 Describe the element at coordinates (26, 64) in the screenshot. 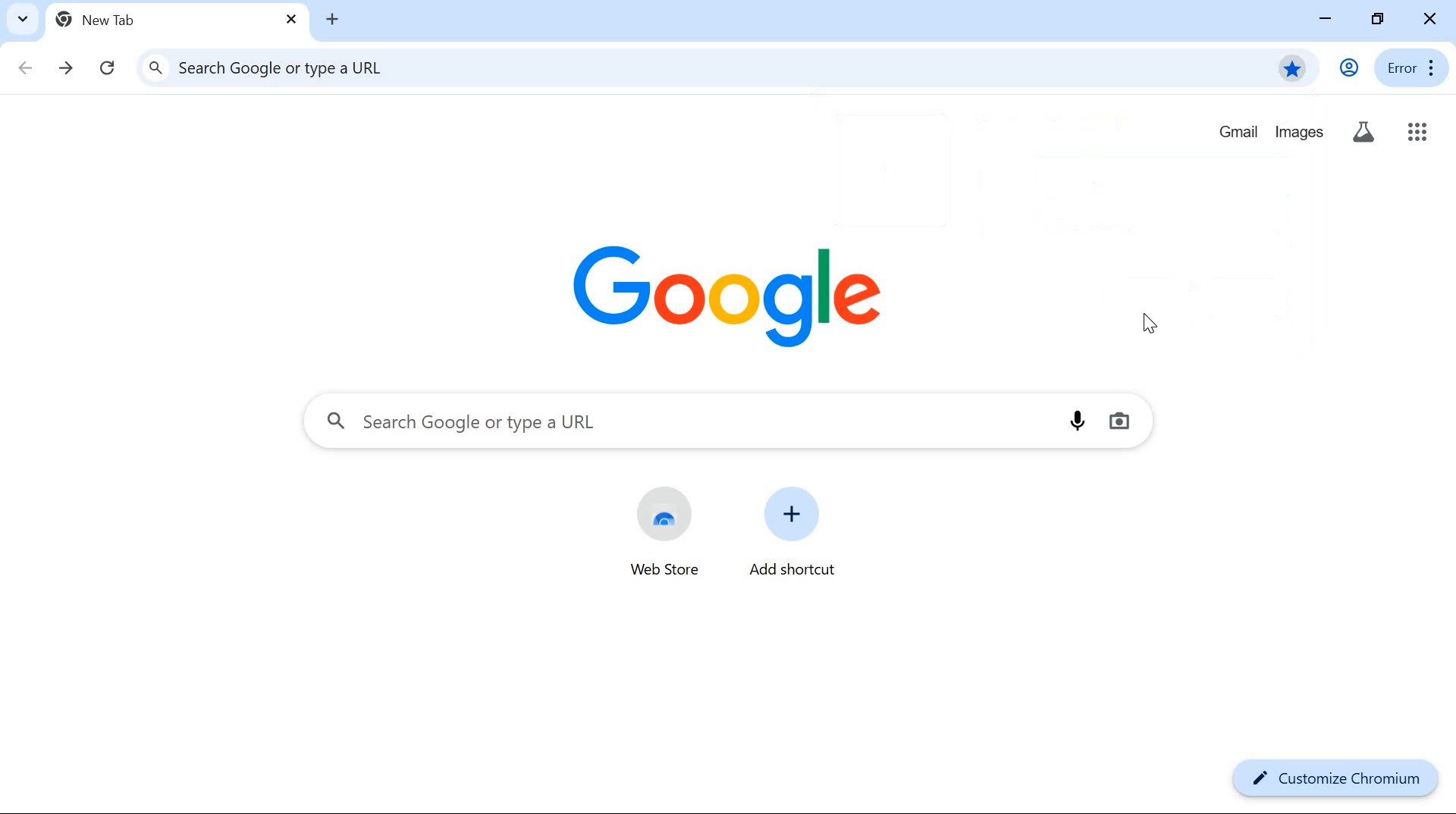

I see `back` at that location.